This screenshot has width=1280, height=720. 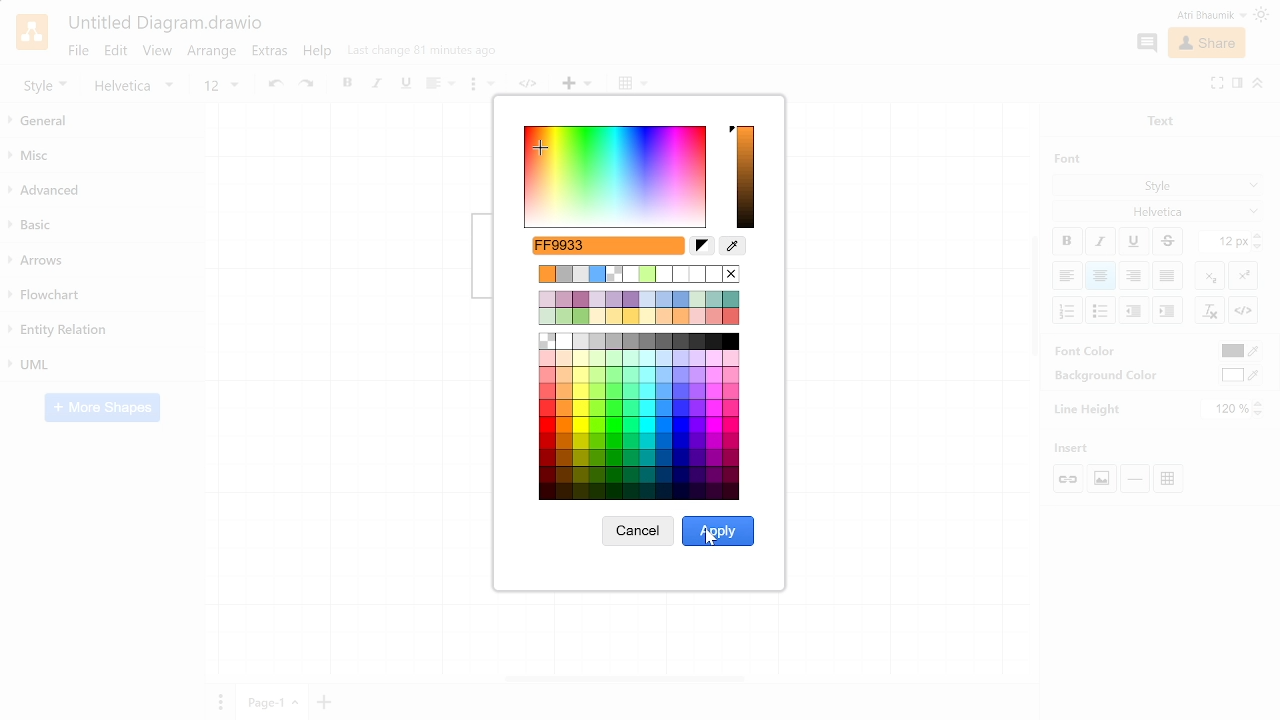 I want to click on Profile, so click(x=1198, y=15).